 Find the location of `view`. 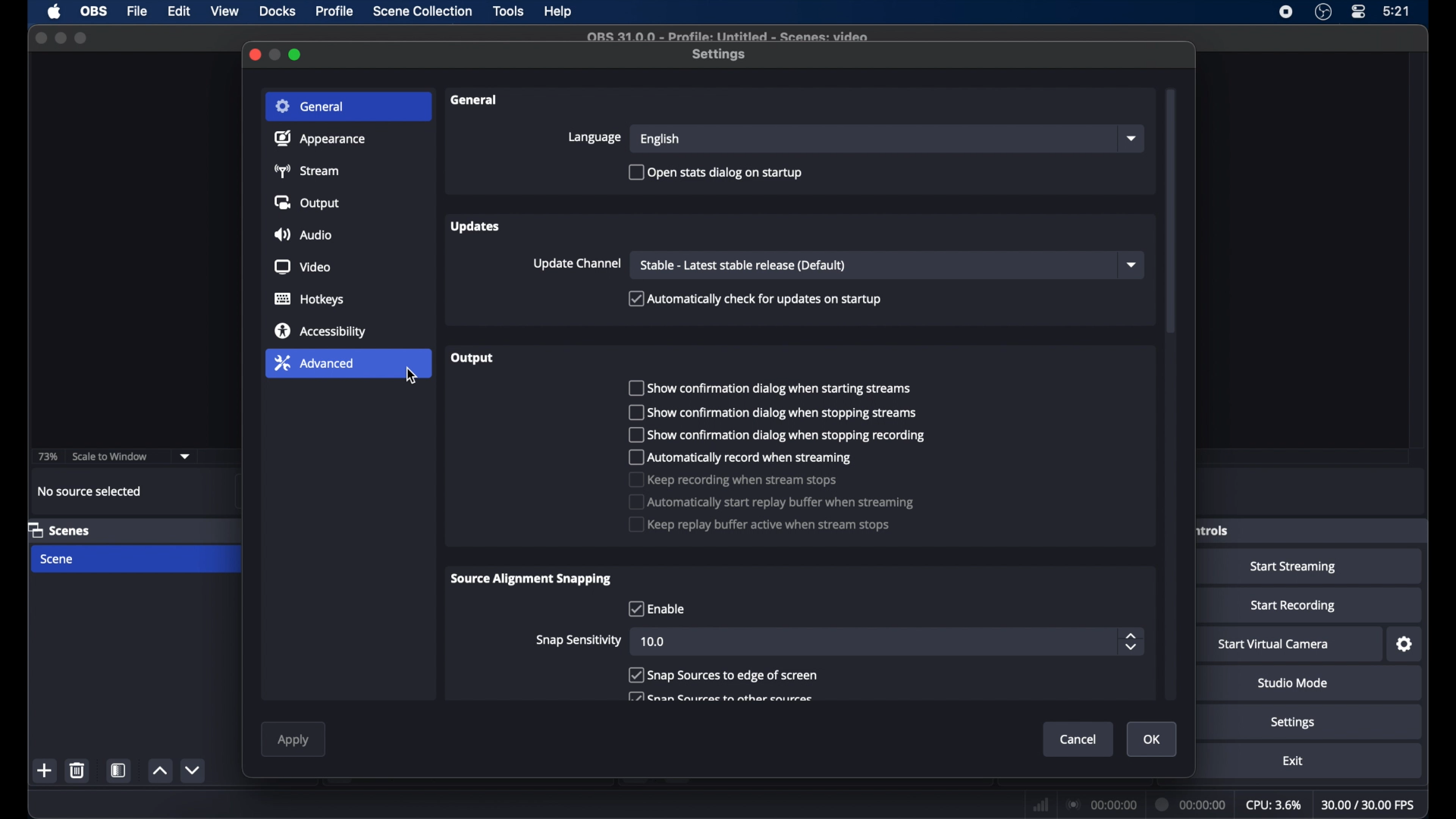

view is located at coordinates (224, 11).